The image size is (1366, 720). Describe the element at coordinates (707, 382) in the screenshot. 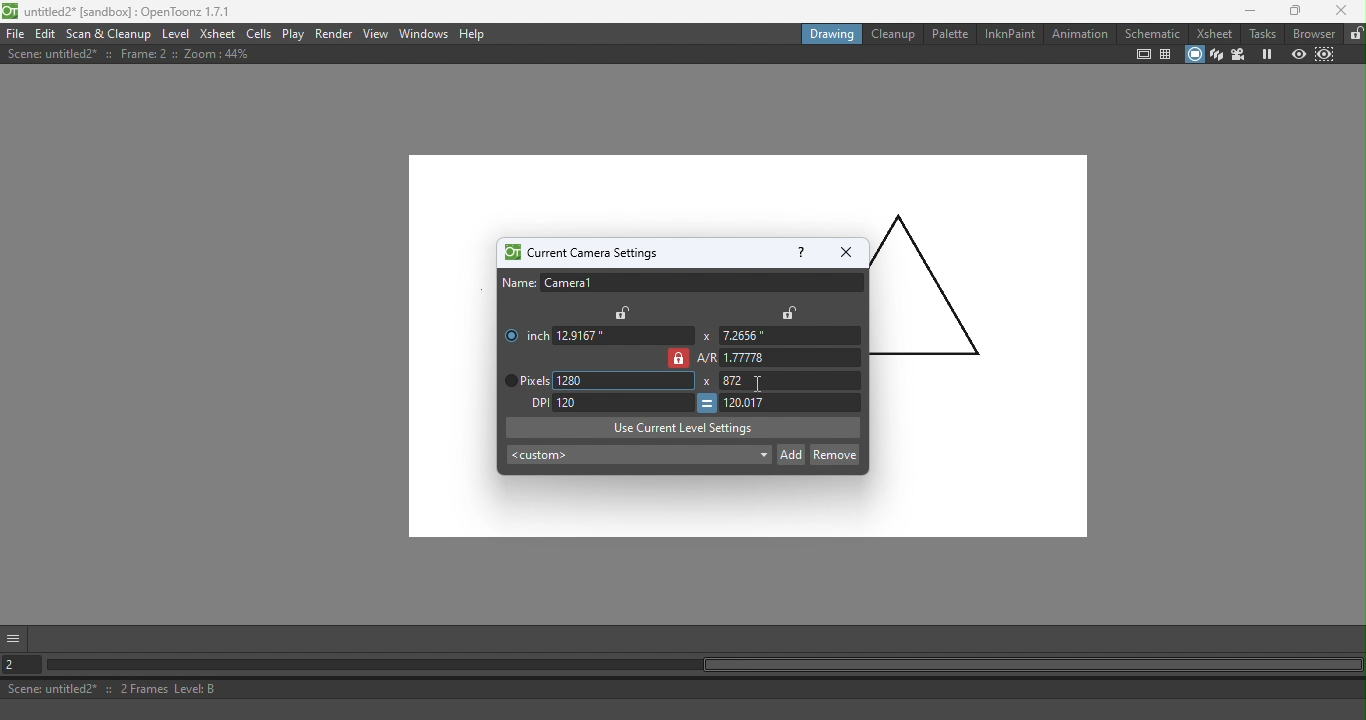

I see `X` at that location.